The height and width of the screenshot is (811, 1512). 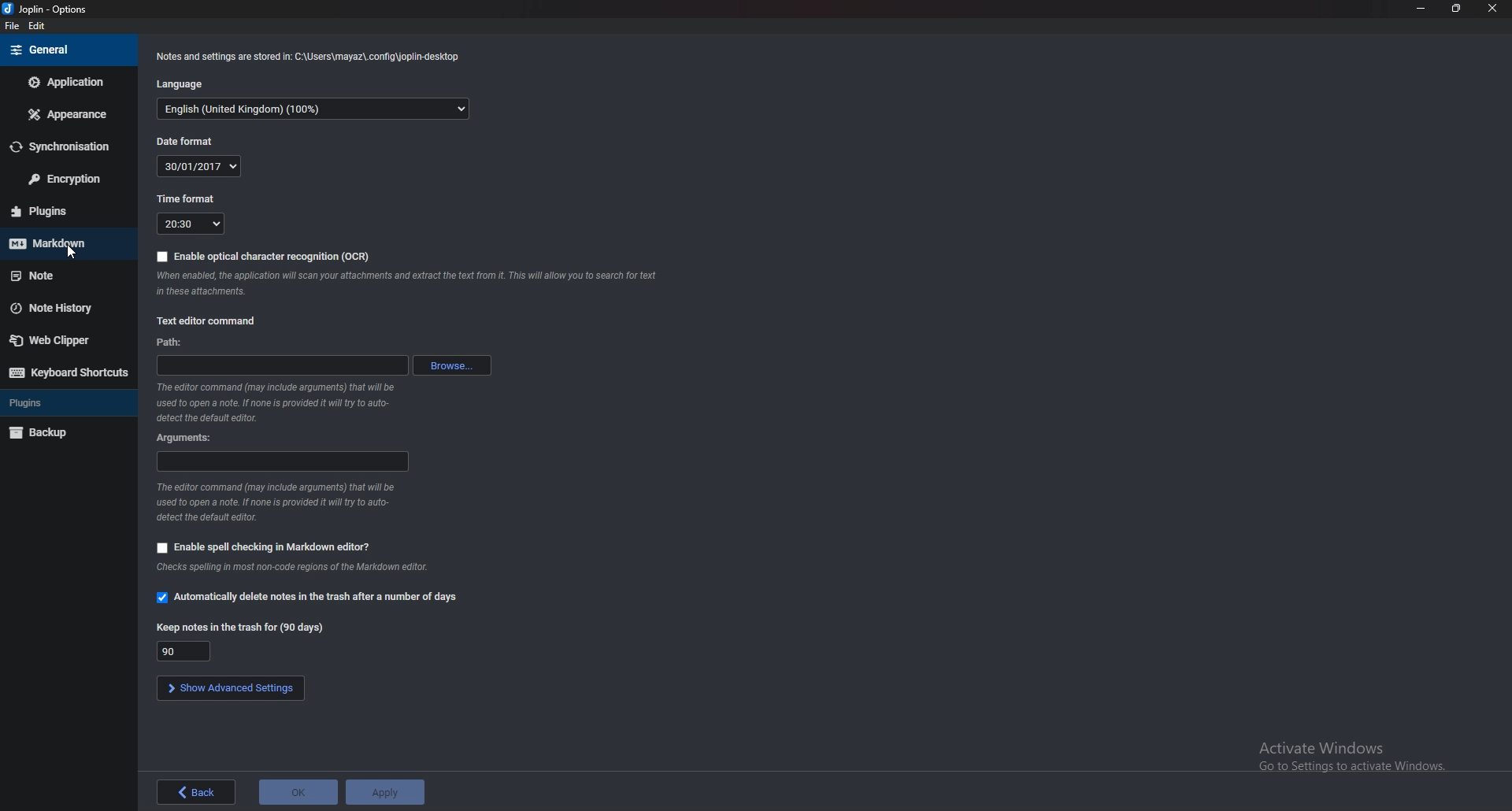 I want to click on Resize, so click(x=1457, y=9).